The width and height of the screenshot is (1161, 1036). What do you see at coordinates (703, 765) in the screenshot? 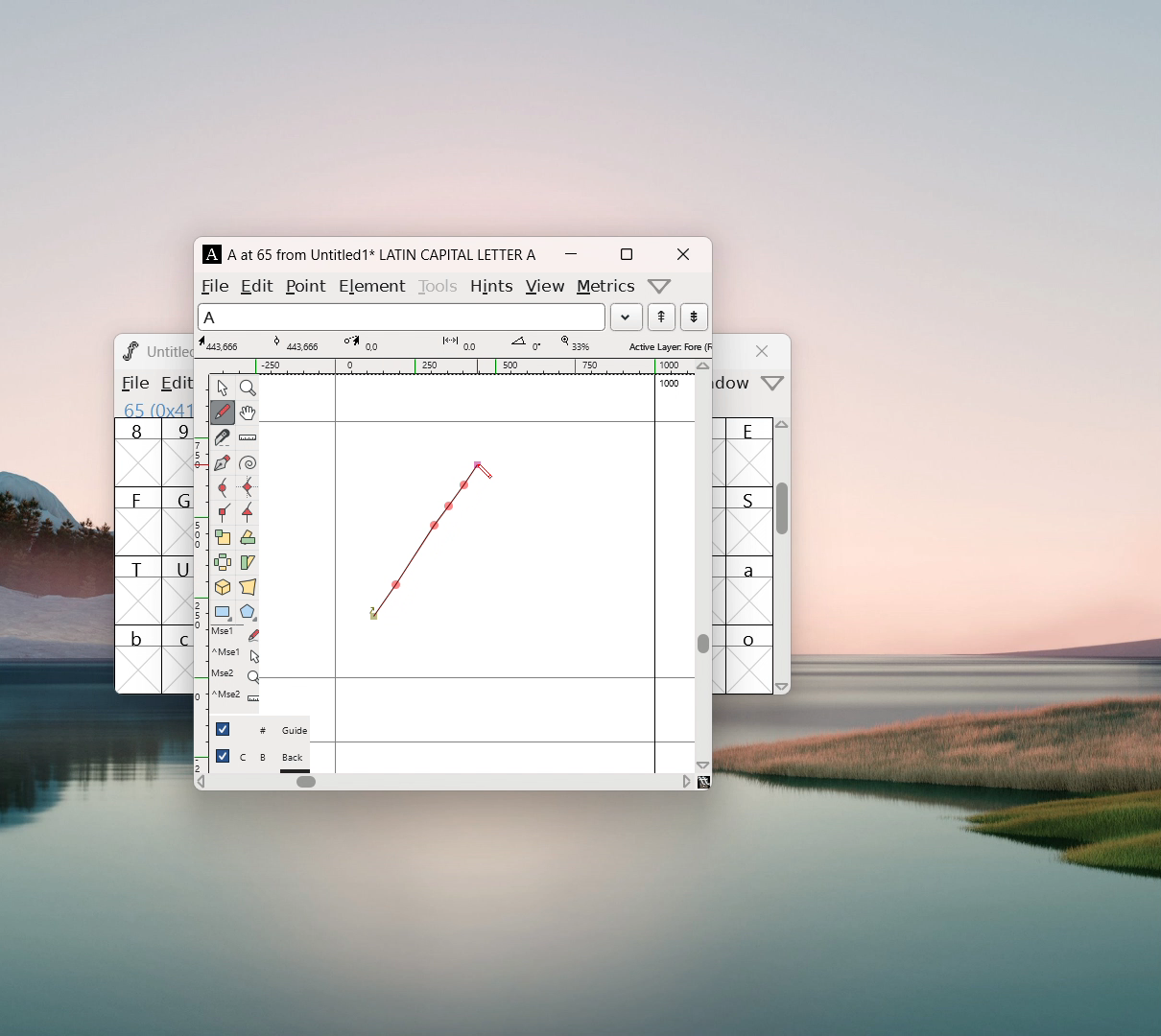
I see `scroll down` at bounding box center [703, 765].